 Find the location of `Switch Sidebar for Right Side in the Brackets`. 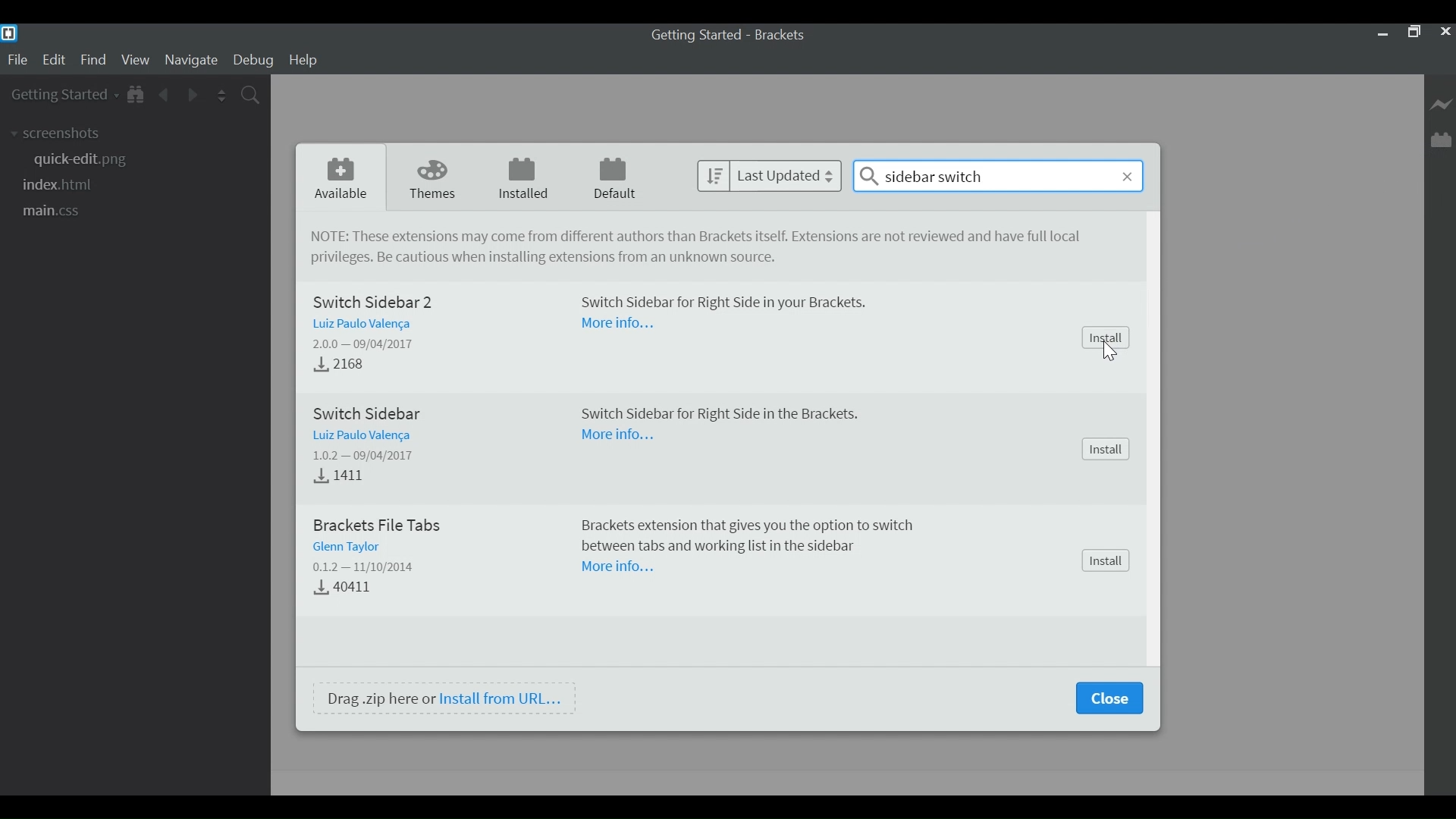

Switch Sidebar for Right Side in the Brackets is located at coordinates (720, 413).